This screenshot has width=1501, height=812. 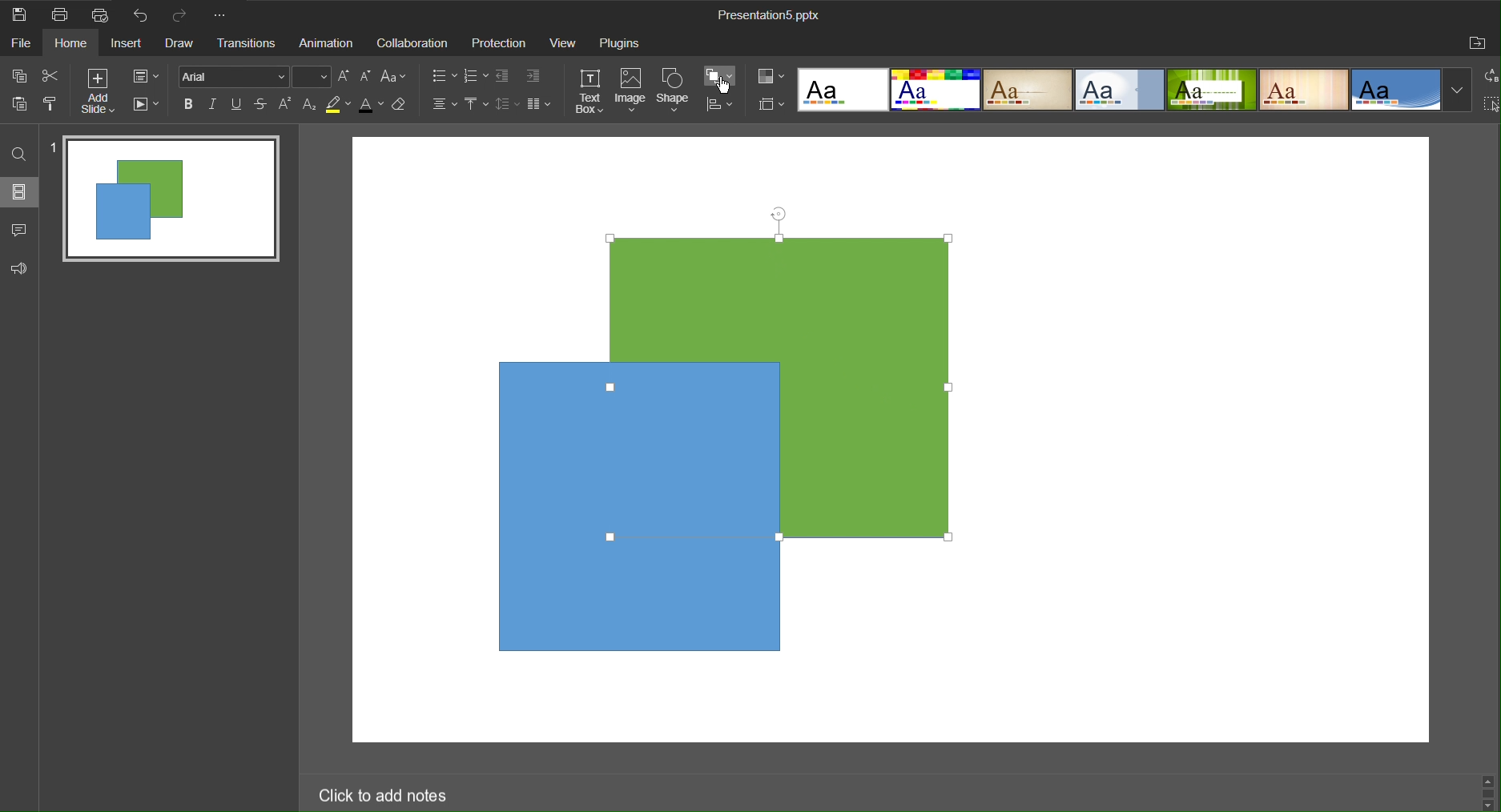 What do you see at coordinates (51, 75) in the screenshot?
I see `Cut` at bounding box center [51, 75].